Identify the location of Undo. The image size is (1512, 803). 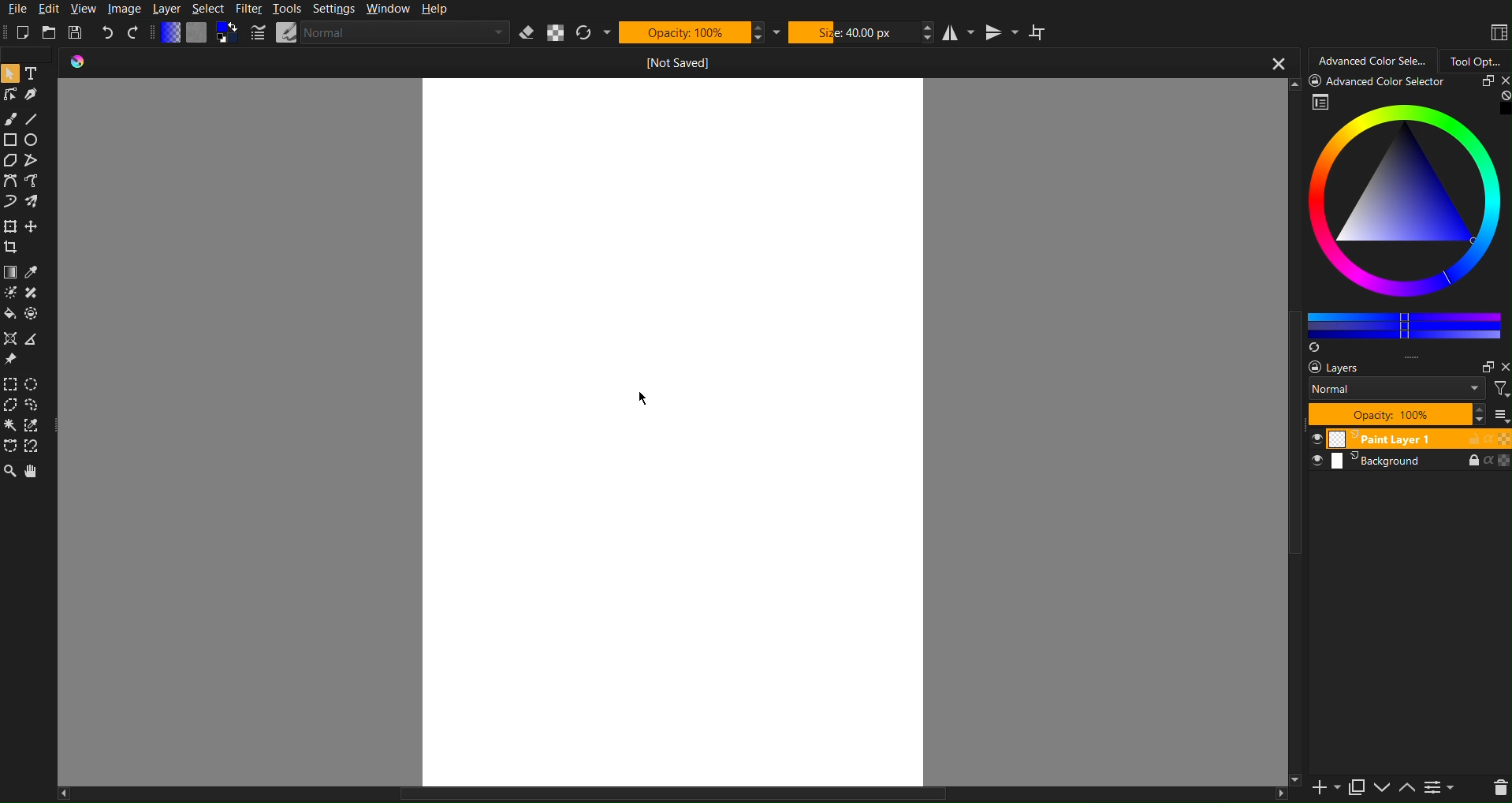
(108, 32).